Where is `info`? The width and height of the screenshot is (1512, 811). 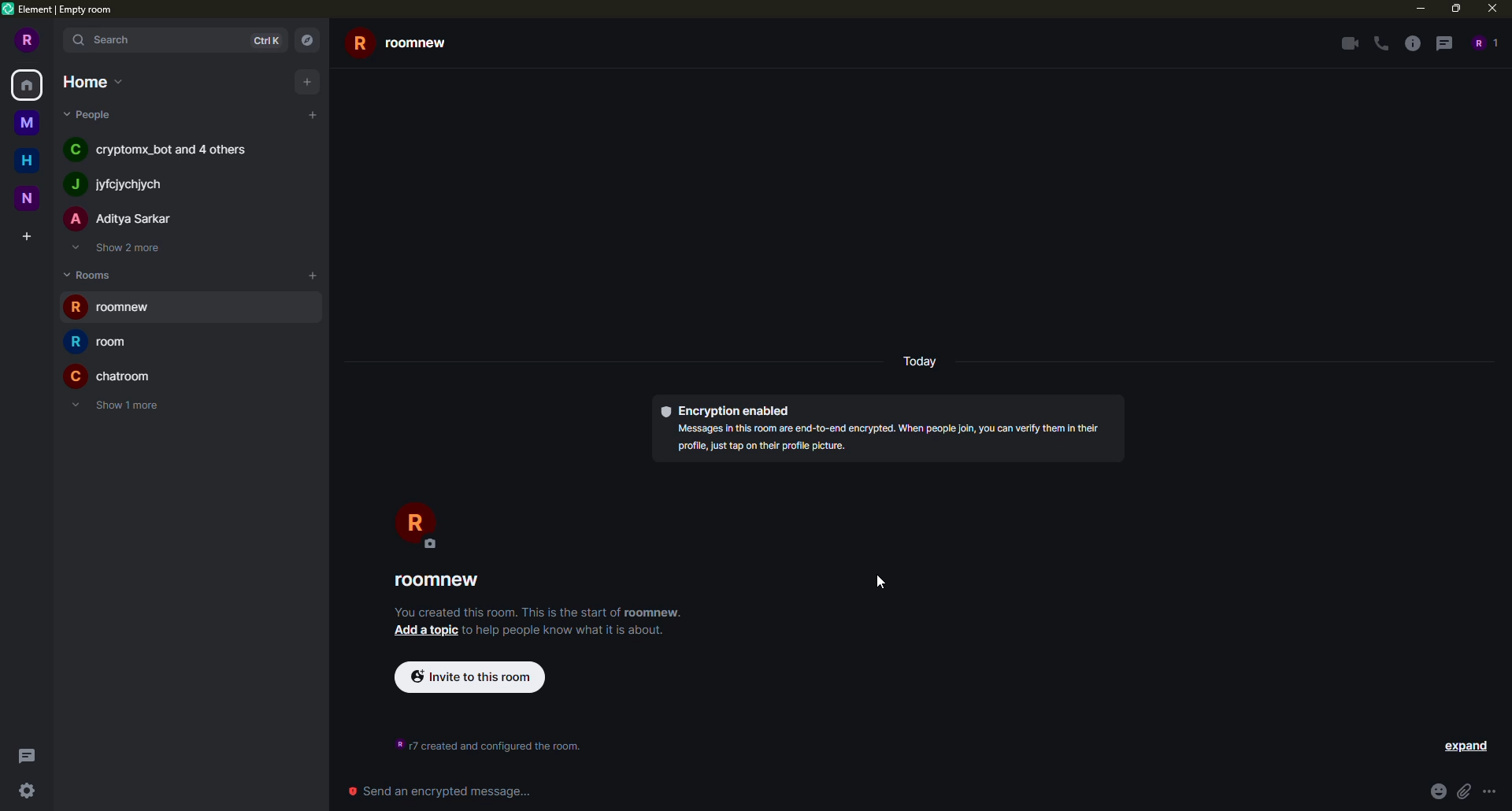
info is located at coordinates (537, 612).